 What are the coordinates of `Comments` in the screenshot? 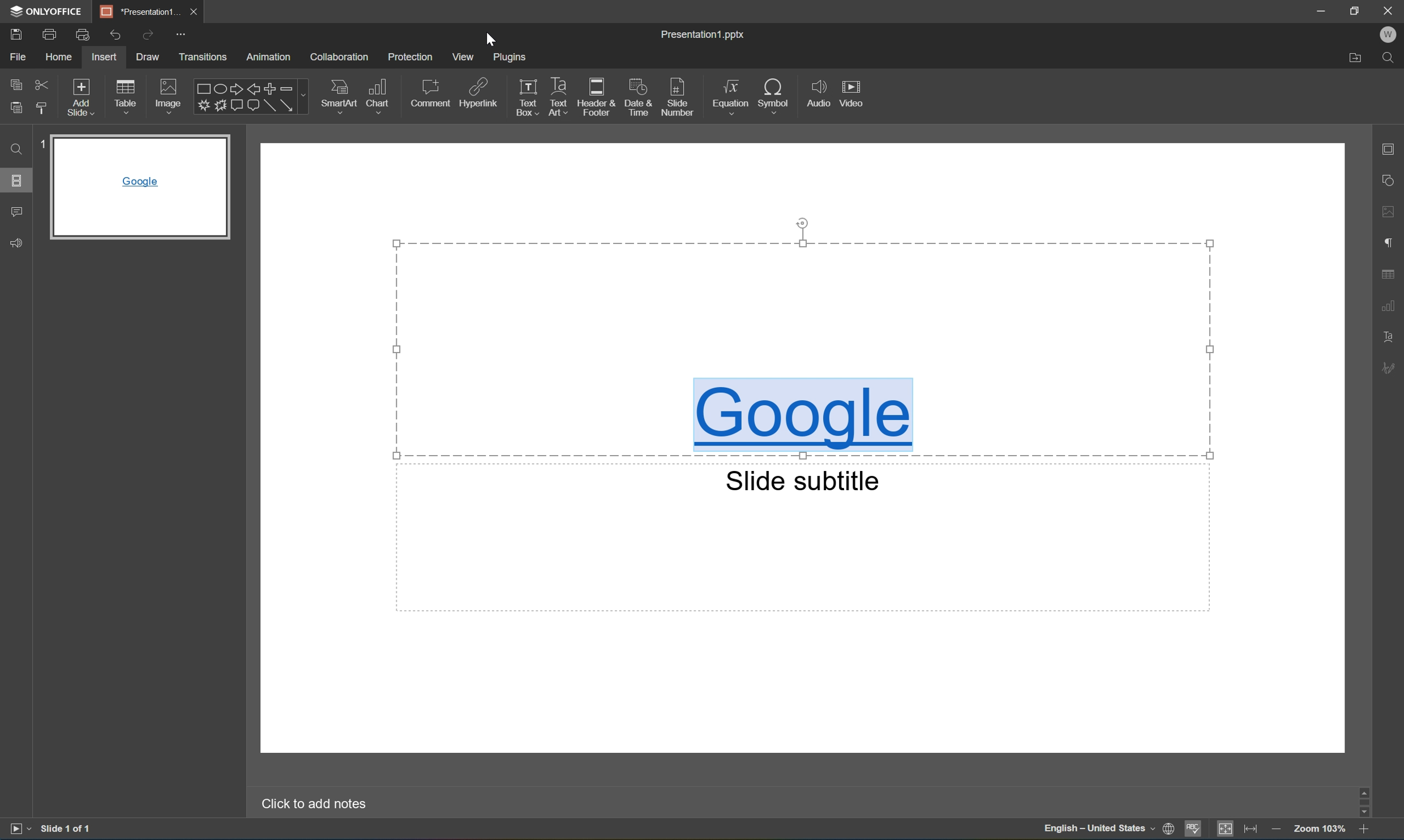 It's located at (16, 213).